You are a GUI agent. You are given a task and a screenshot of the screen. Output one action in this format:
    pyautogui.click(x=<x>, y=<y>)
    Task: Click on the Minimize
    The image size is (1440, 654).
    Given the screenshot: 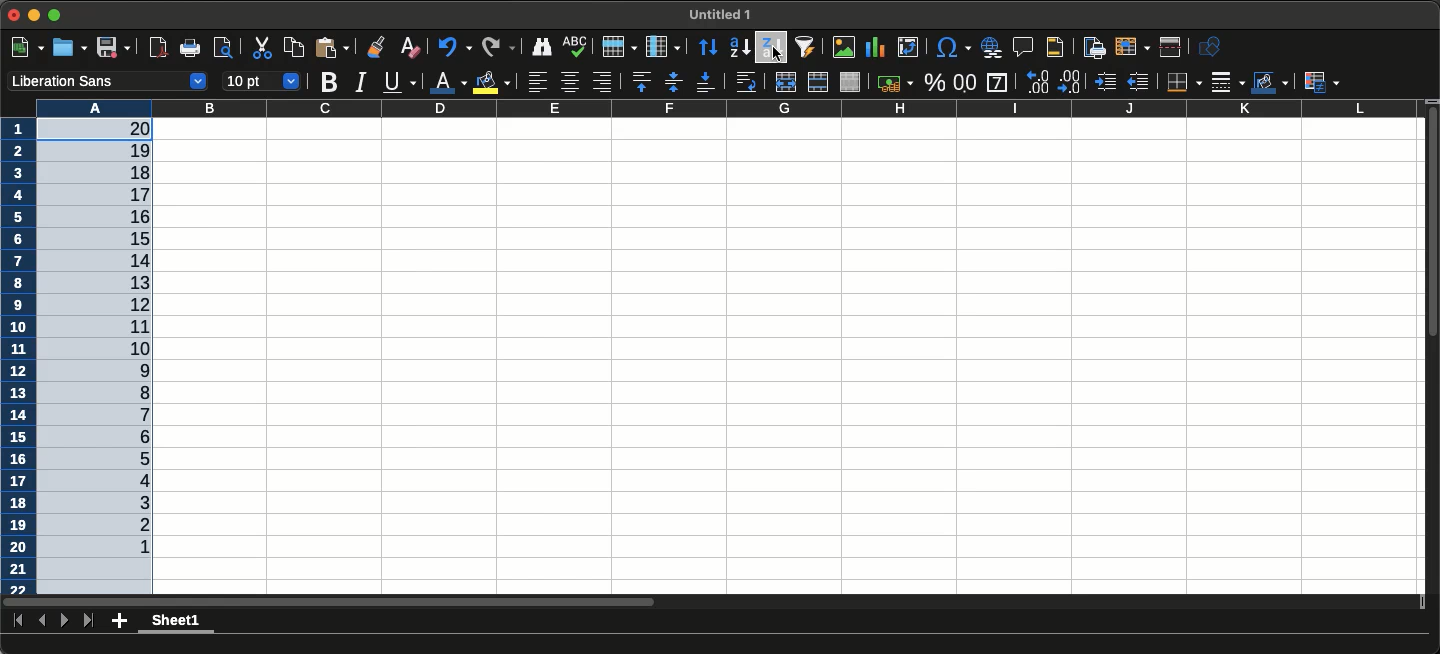 What is the action you would take?
    pyautogui.click(x=35, y=17)
    